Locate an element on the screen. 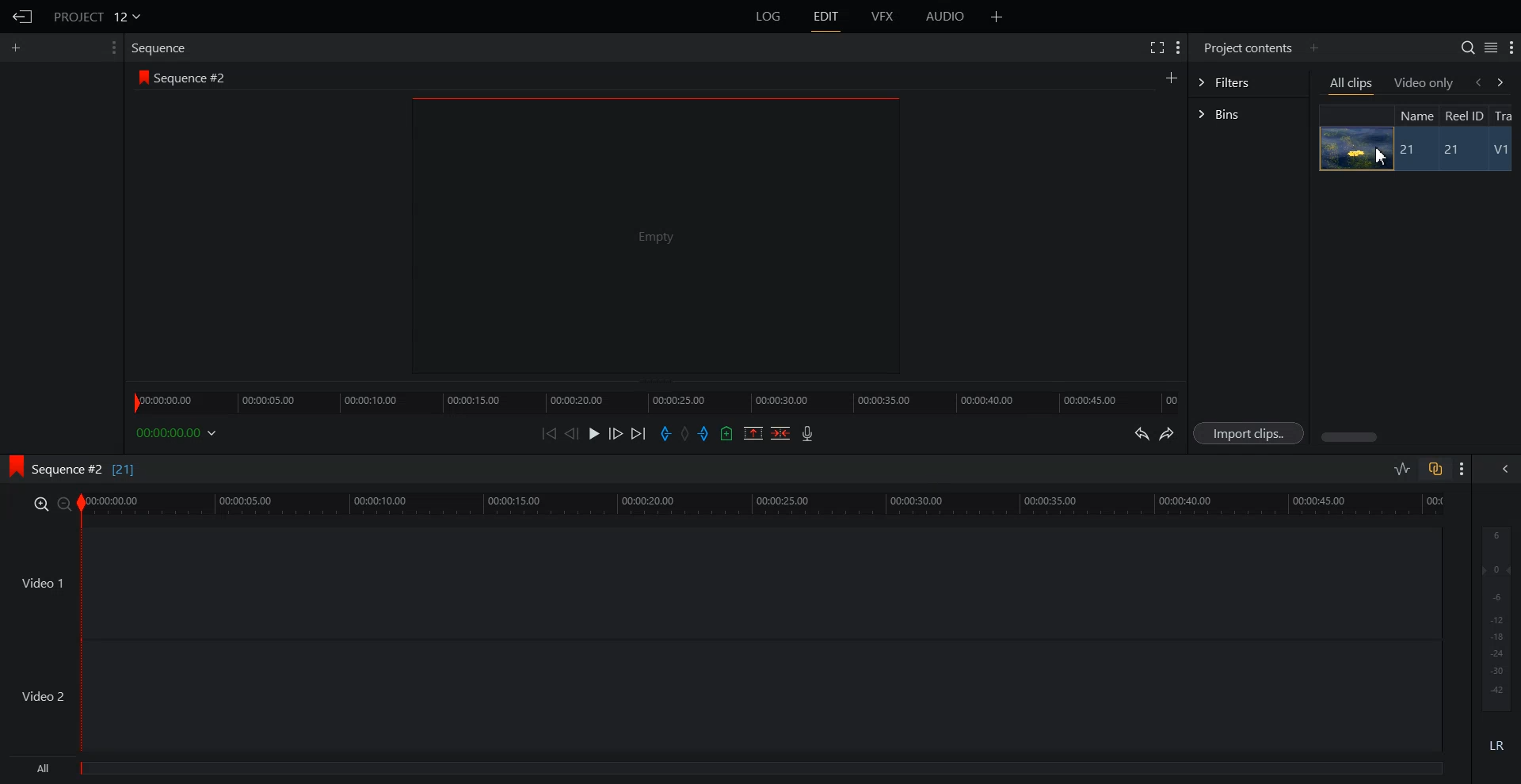 This screenshot has width=1521, height=784. video 1 is located at coordinates (719, 580).